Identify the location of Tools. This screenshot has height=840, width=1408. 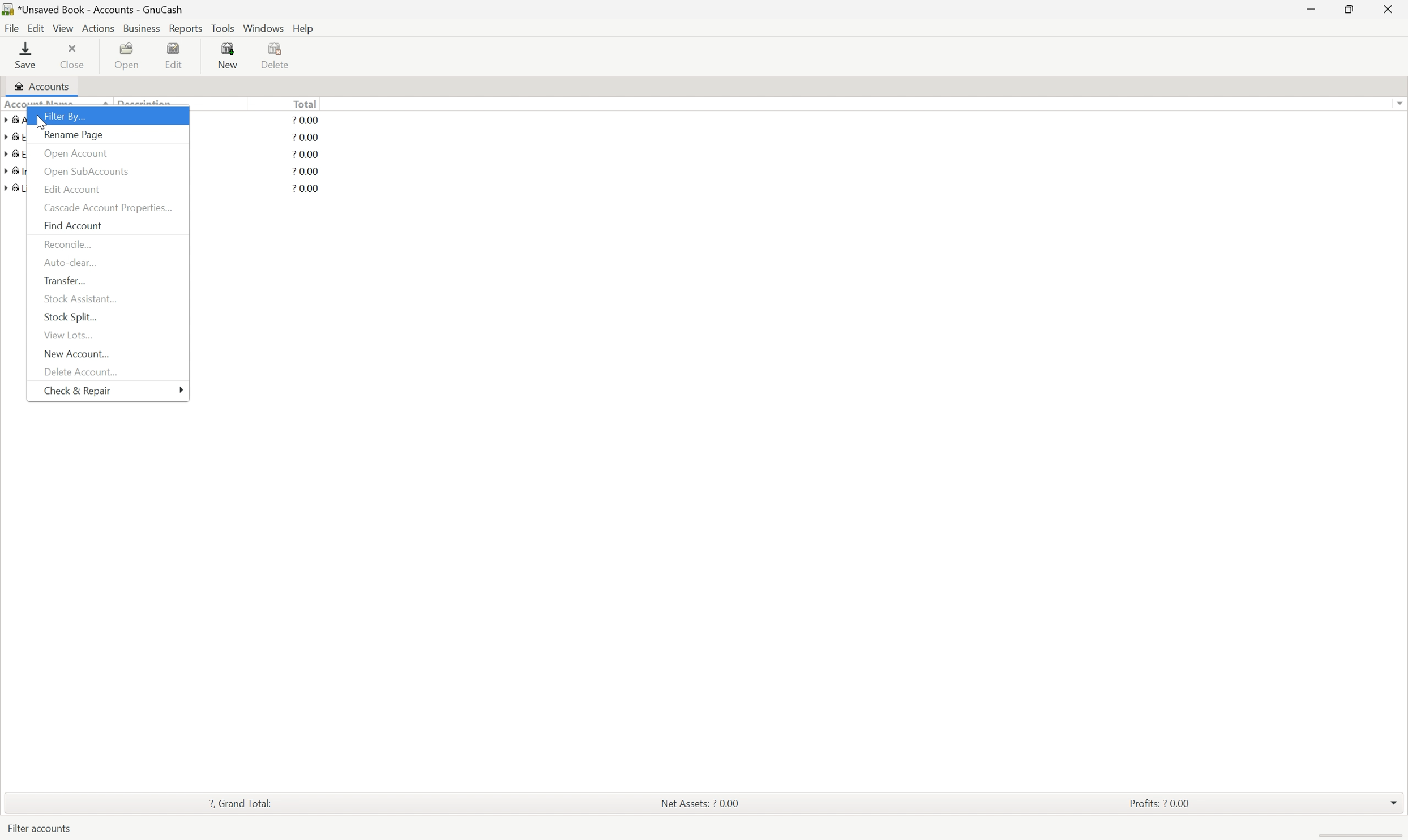
(222, 28).